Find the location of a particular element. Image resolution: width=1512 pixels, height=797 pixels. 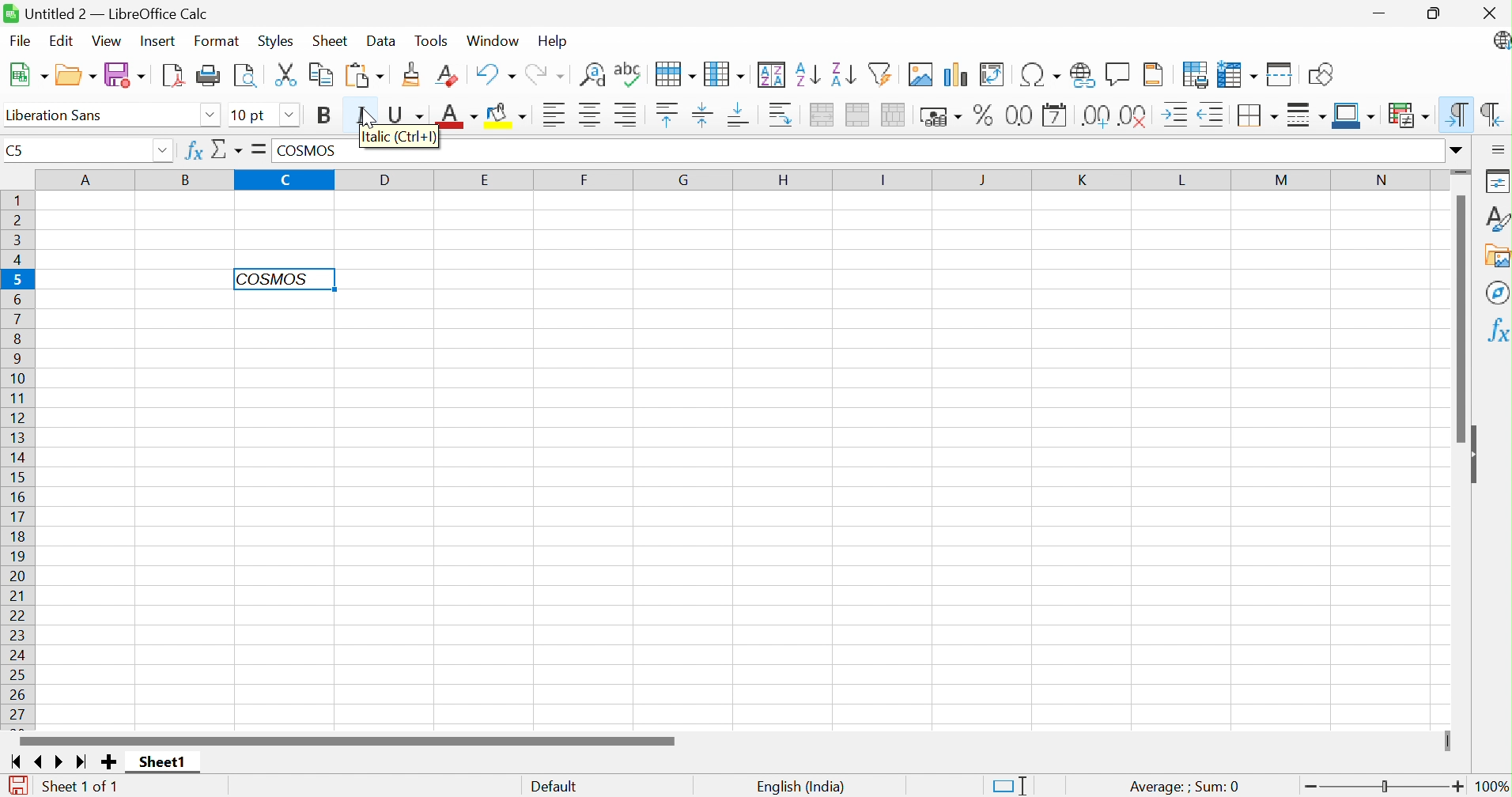

Merge and center or unmerge cells depending on the current toggle state is located at coordinates (820, 116).